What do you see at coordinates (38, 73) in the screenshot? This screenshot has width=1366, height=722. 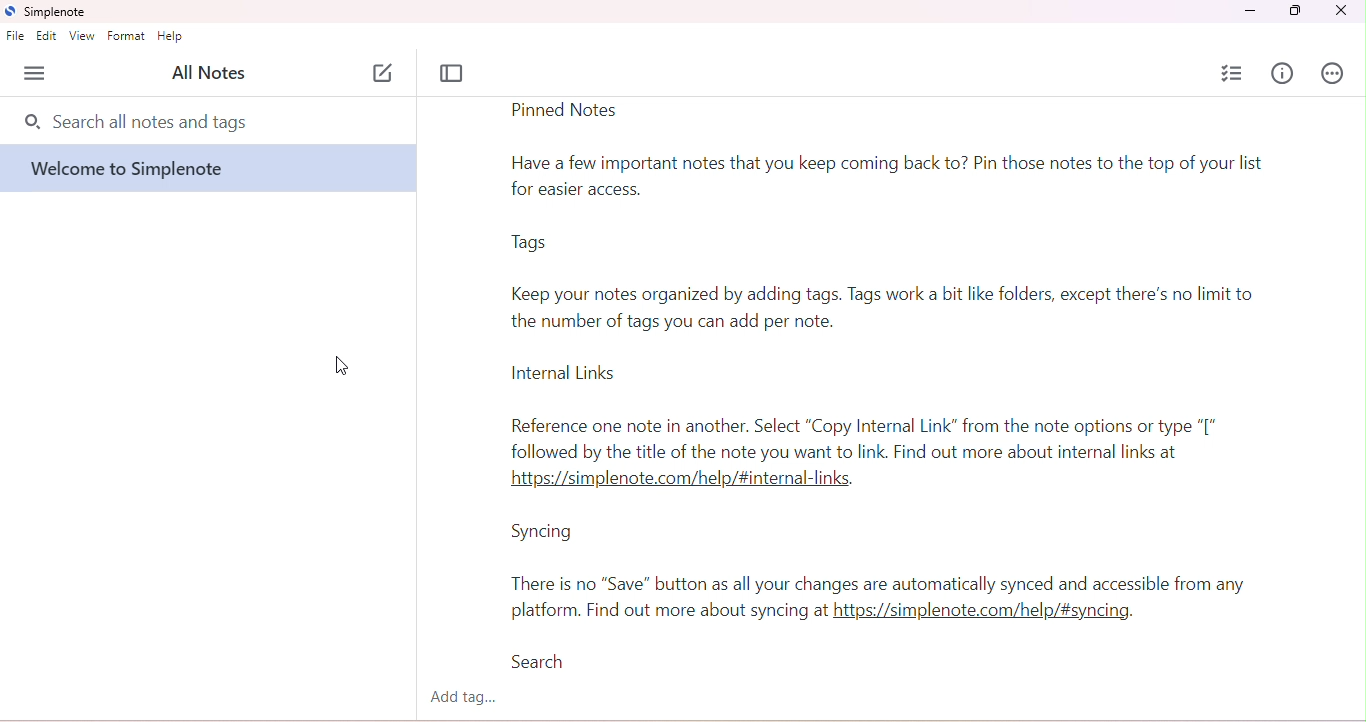 I see `menu` at bounding box center [38, 73].